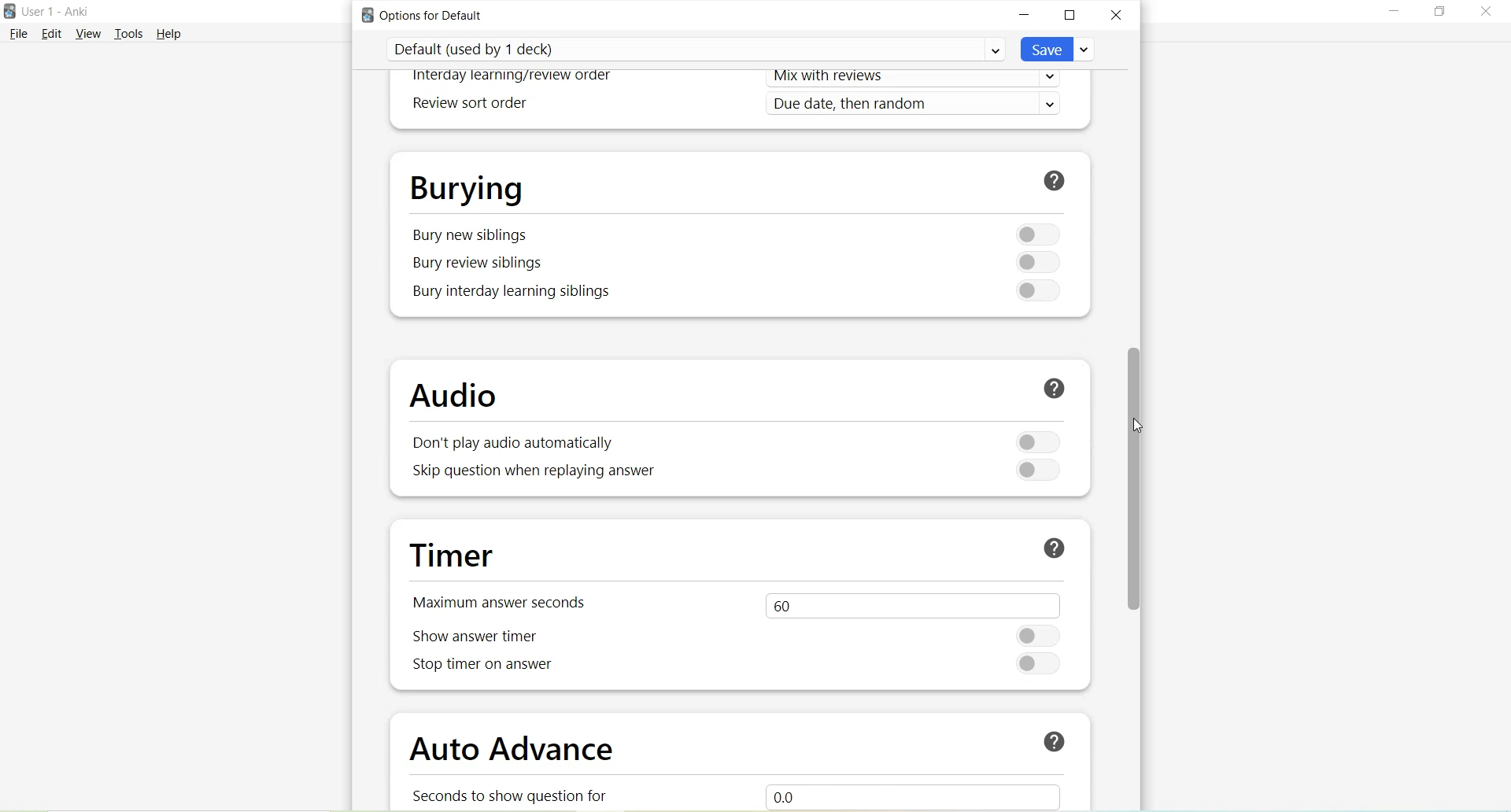 Image resolution: width=1511 pixels, height=812 pixels. I want to click on Edit, so click(53, 33).